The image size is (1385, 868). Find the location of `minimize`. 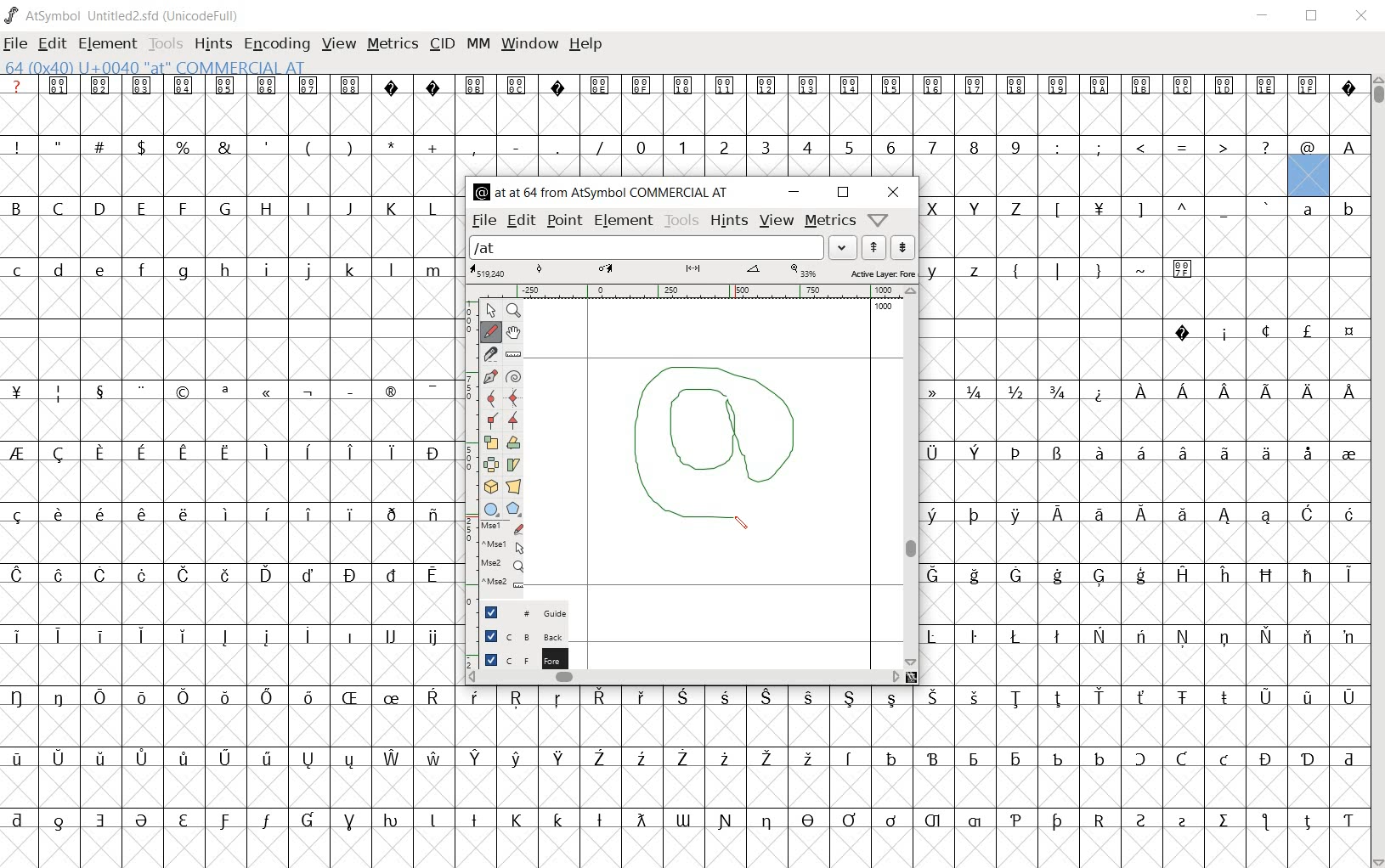

minimize is located at coordinates (794, 193).